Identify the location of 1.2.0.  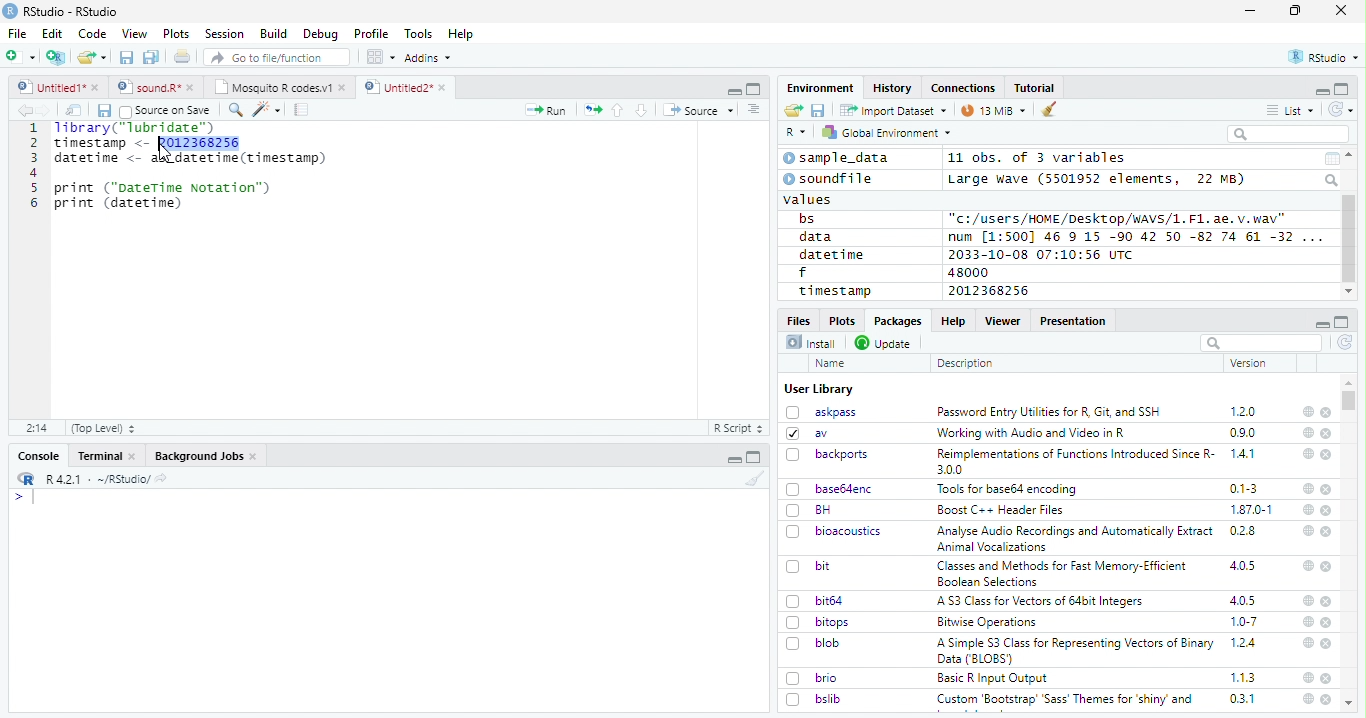
(1245, 411).